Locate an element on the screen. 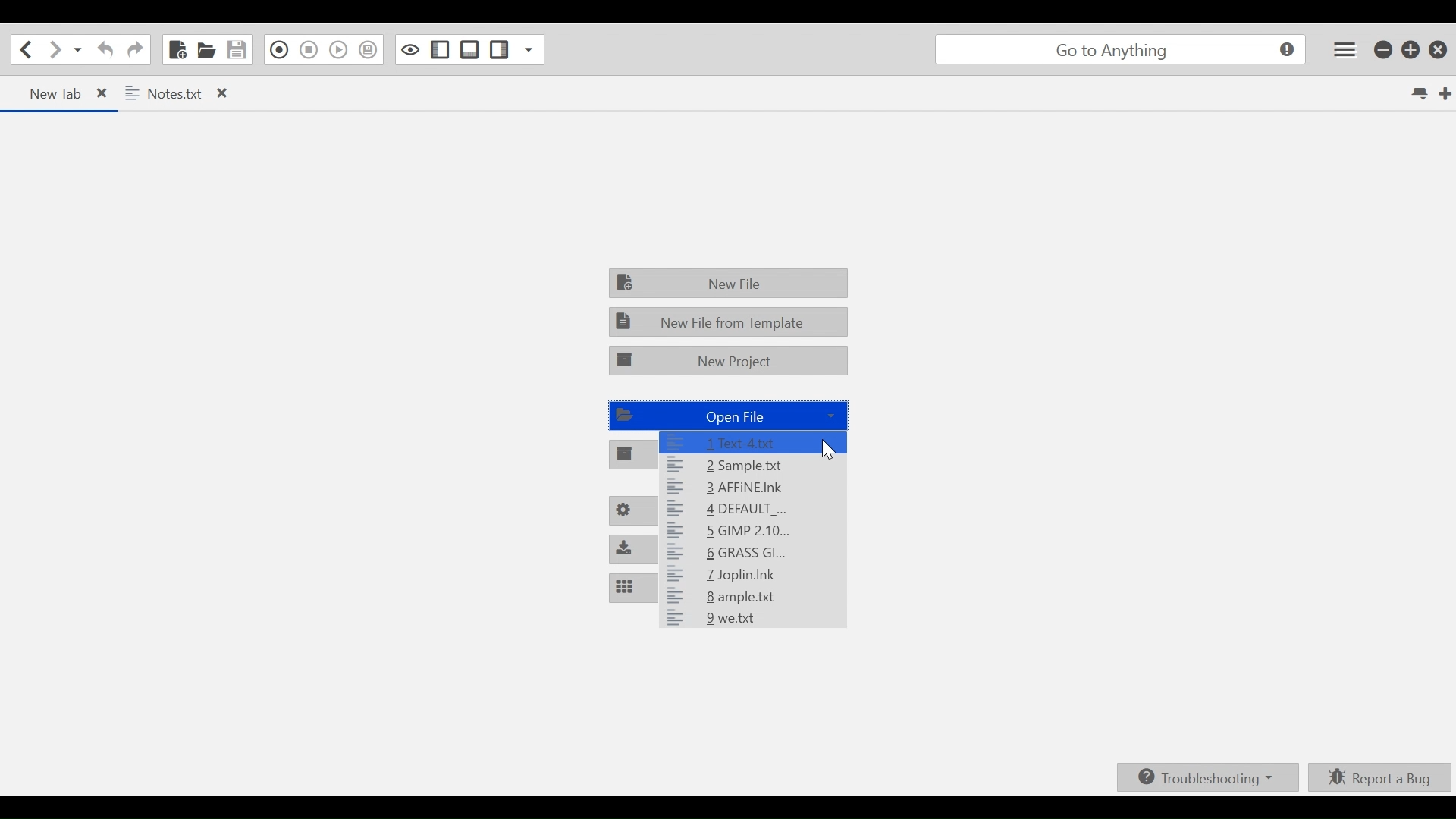  Toggle focus mode is located at coordinates (410, 50).